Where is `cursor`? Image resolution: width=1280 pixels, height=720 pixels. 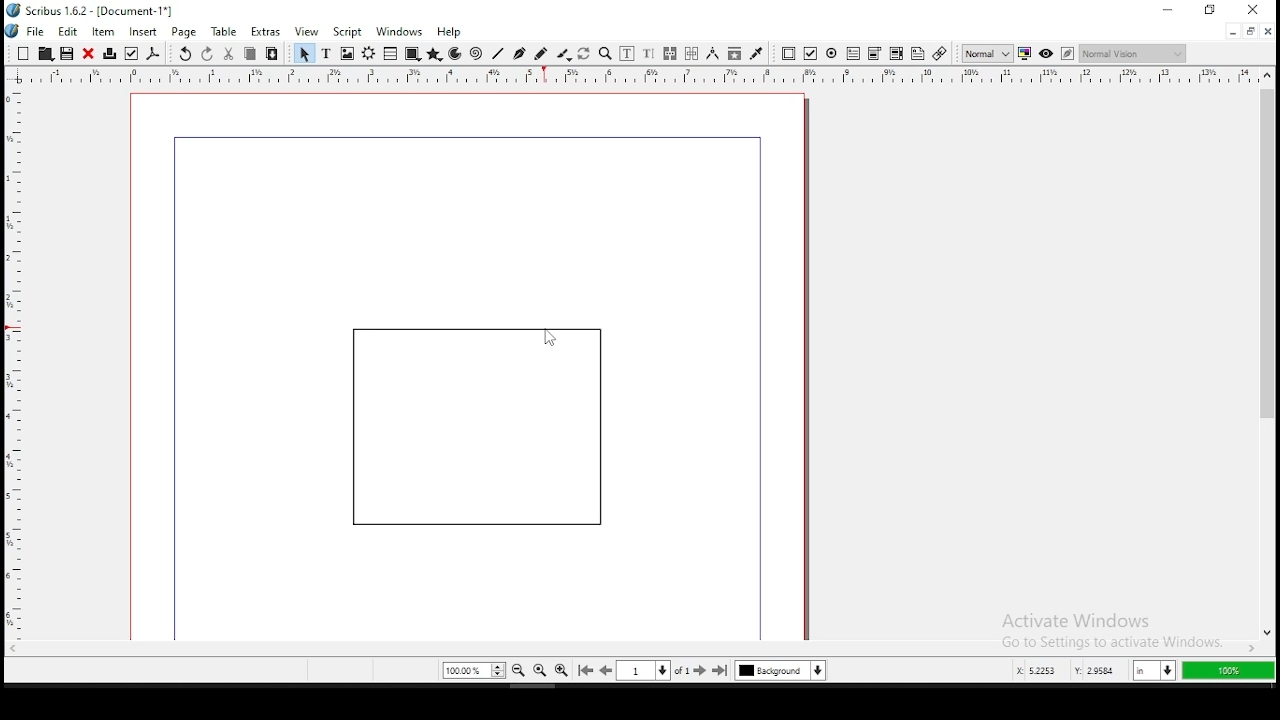 cursor is located at coordinates (548, 330).